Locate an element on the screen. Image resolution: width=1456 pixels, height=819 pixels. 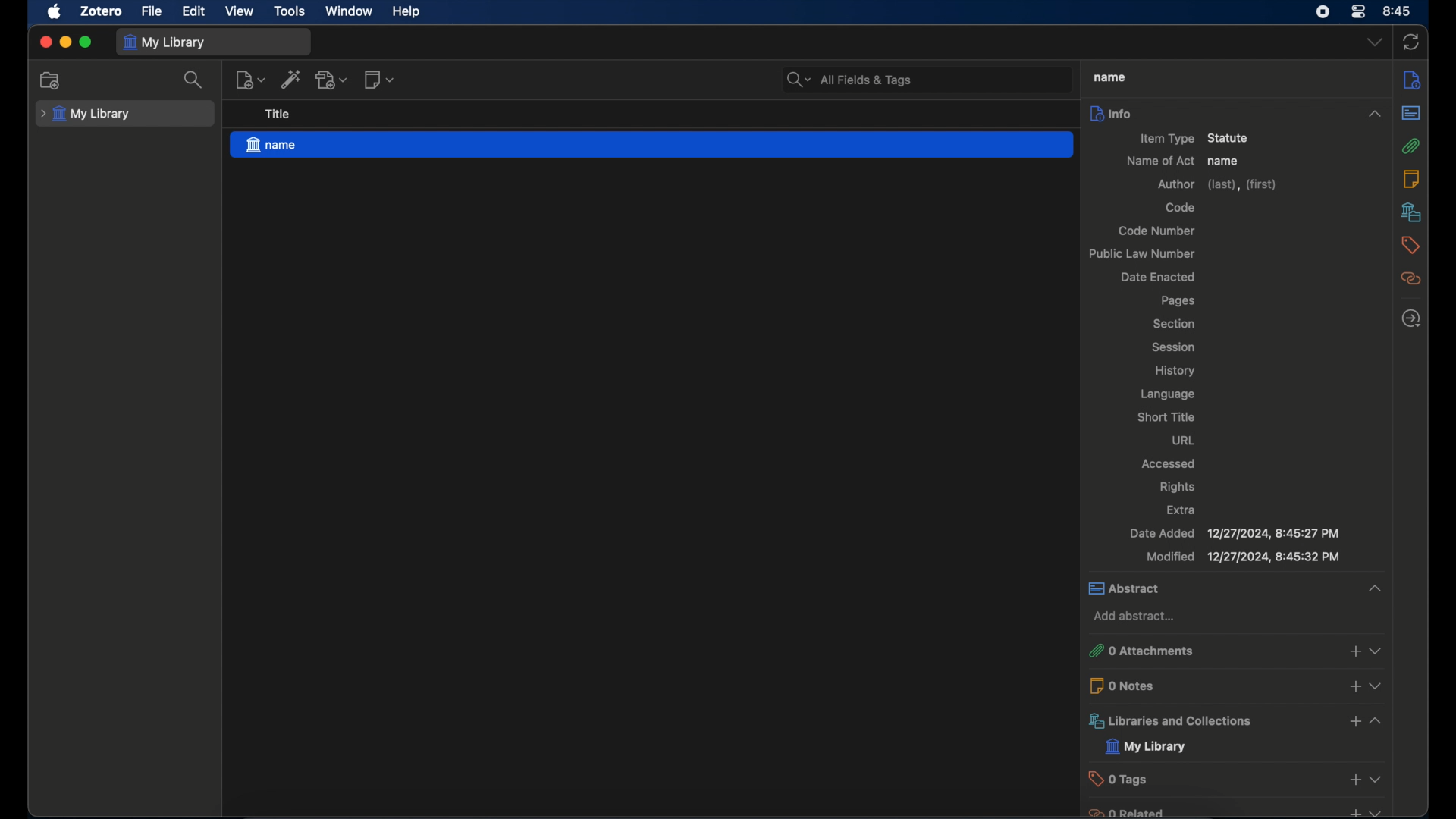
name of act is located at coordinates (1159, 161).